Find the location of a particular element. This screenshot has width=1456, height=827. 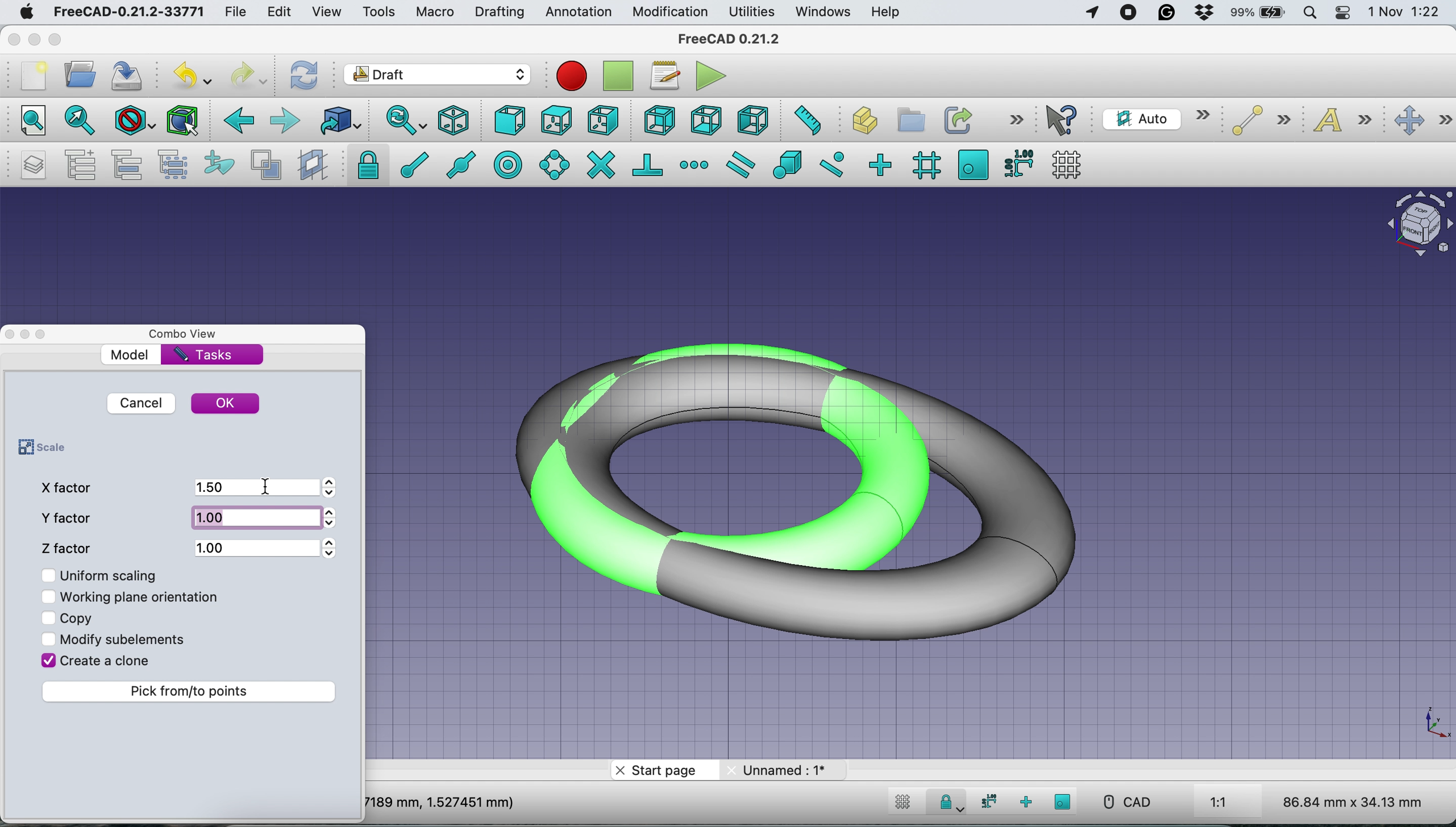

x factor is located at coordinates (69, 487).